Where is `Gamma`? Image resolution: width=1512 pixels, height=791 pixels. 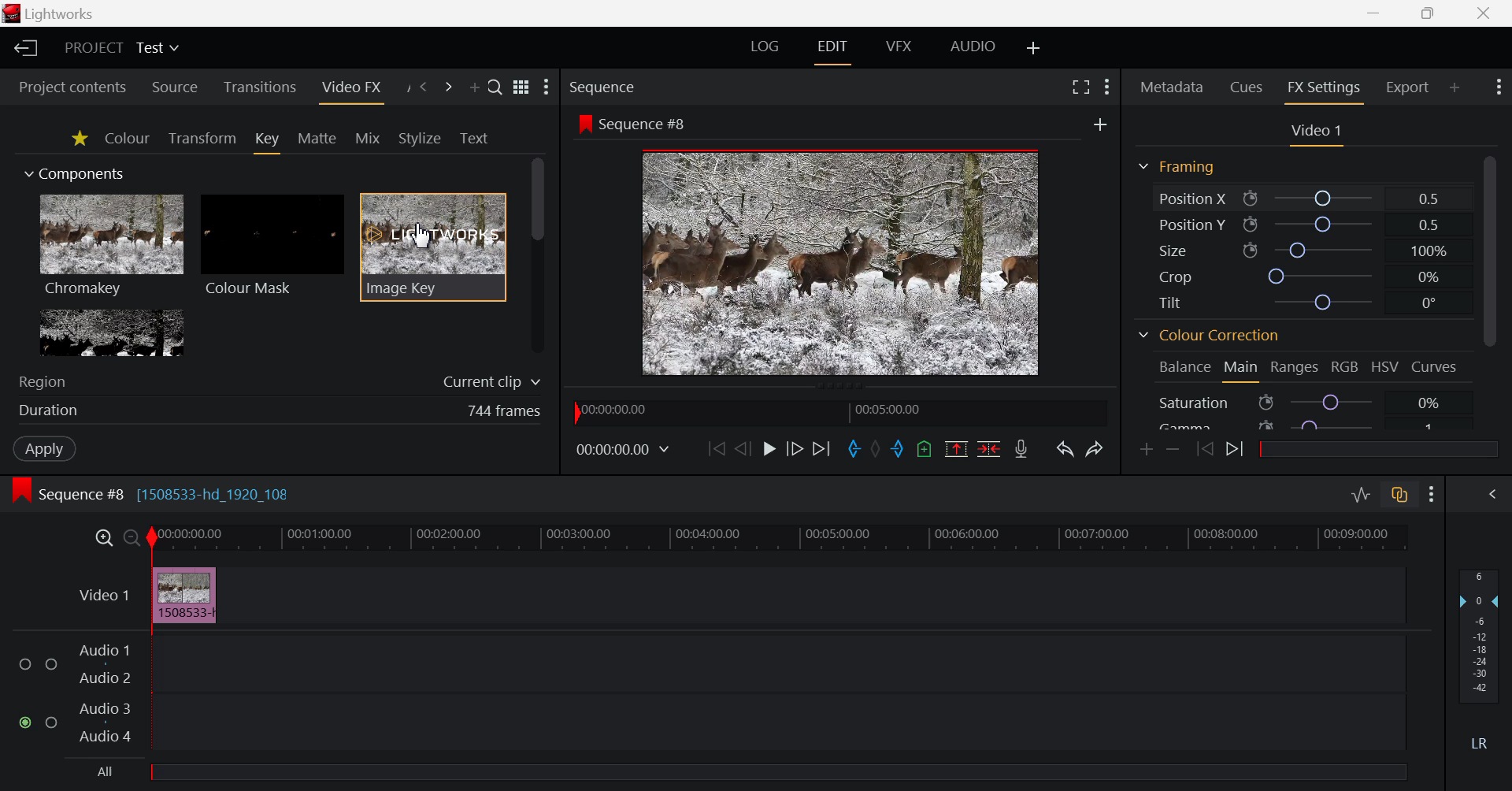 Gamma is located at coordinates (1332, 425).